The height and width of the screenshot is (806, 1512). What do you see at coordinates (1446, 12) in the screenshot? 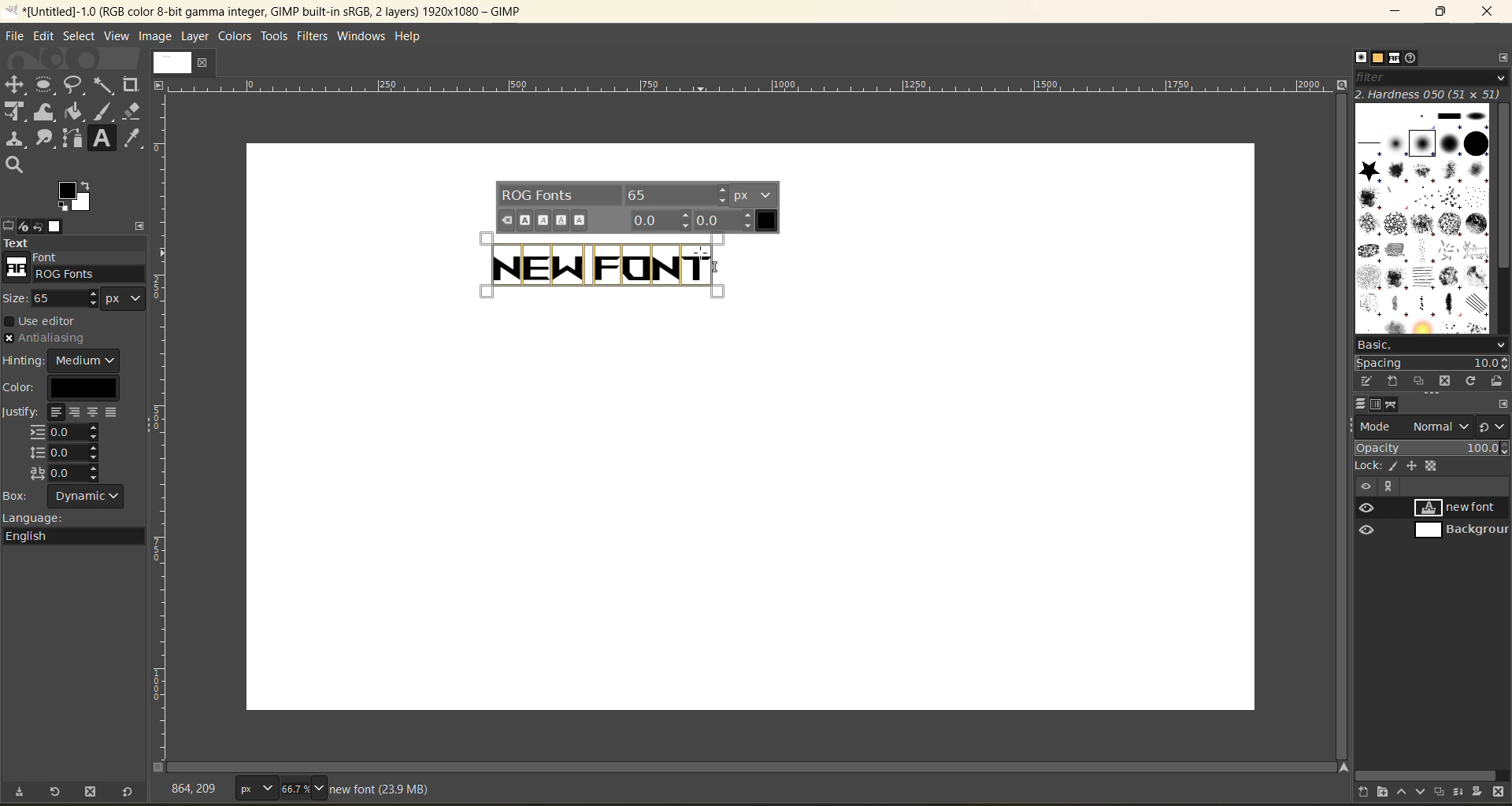
I see `maximize` at bounding box center [1446, 12].